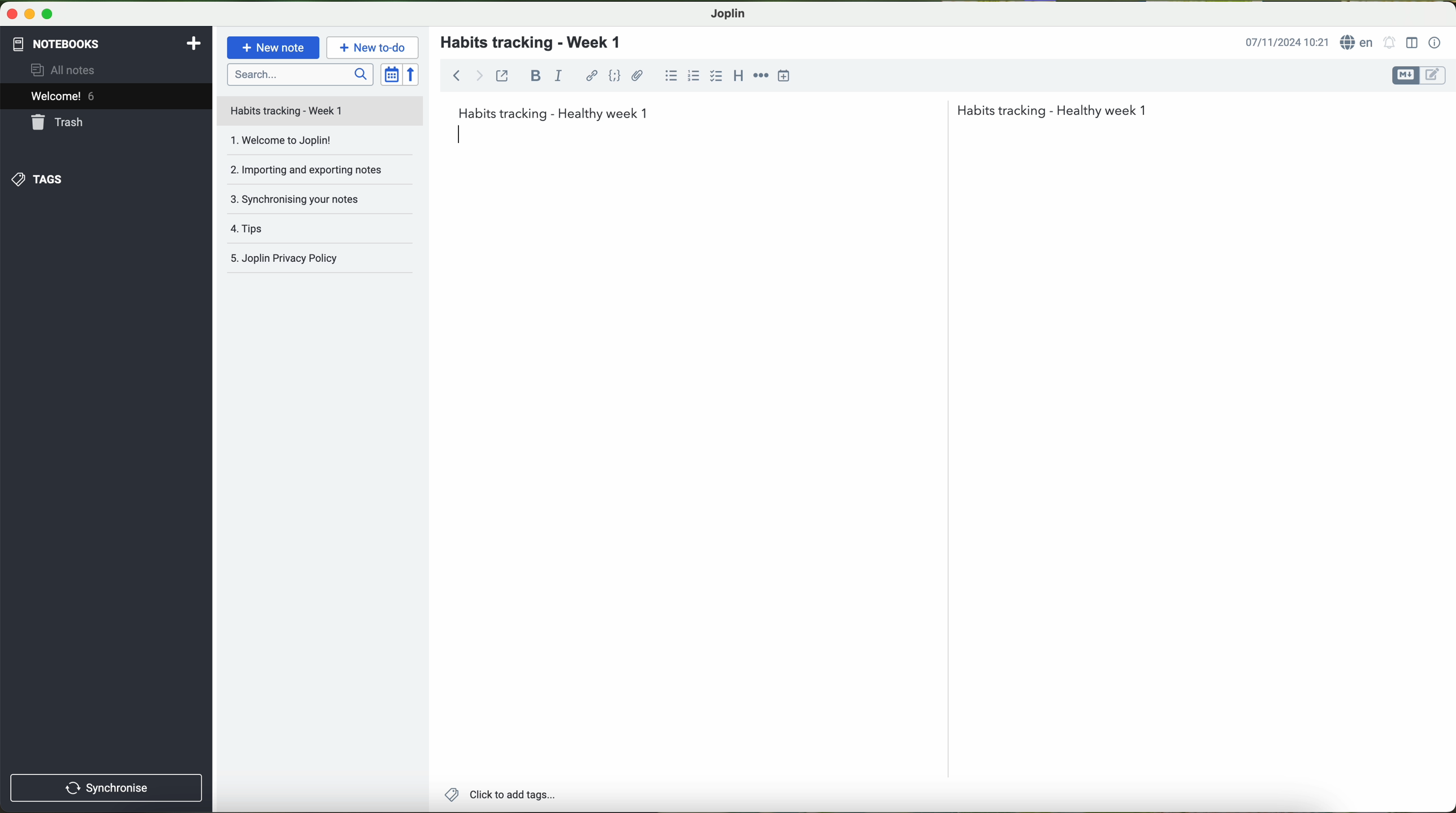 The height and width of the screenshot is (813, 1456). I want to click on forward, so click(479, 75).